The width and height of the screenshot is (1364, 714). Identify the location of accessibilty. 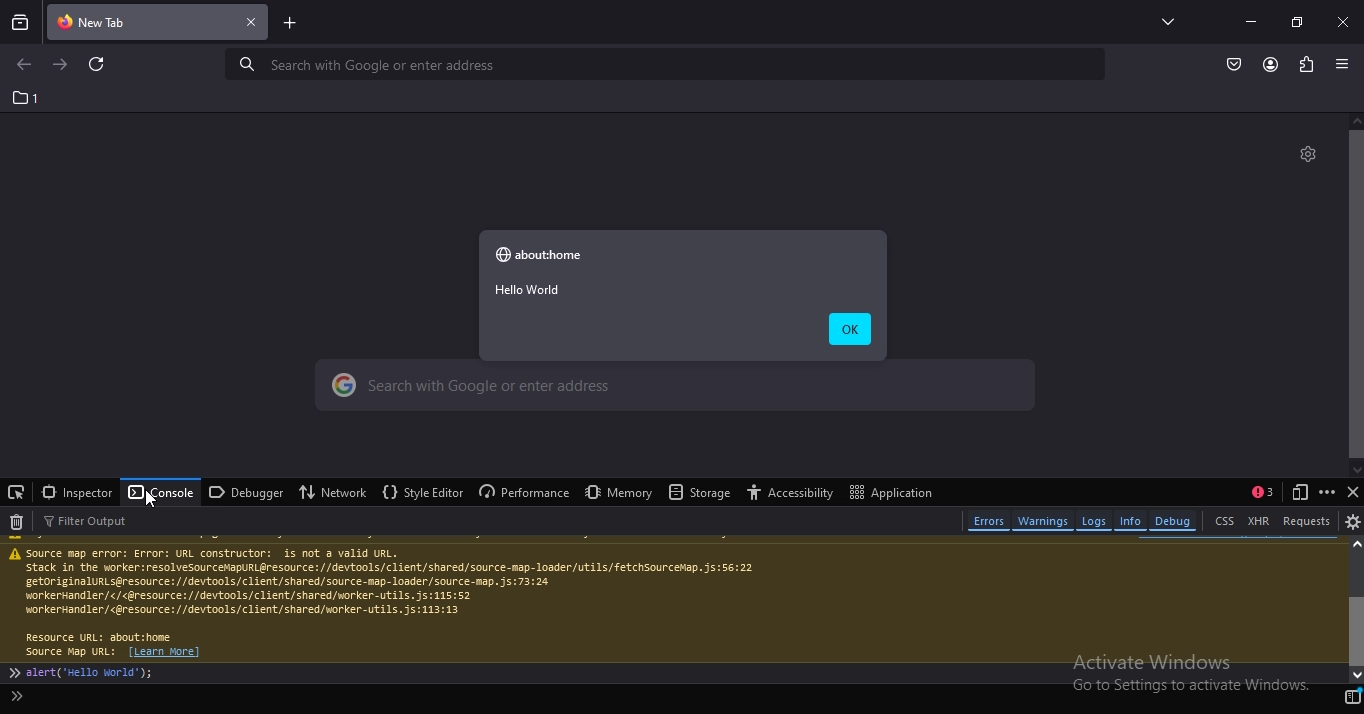
(793, 491).